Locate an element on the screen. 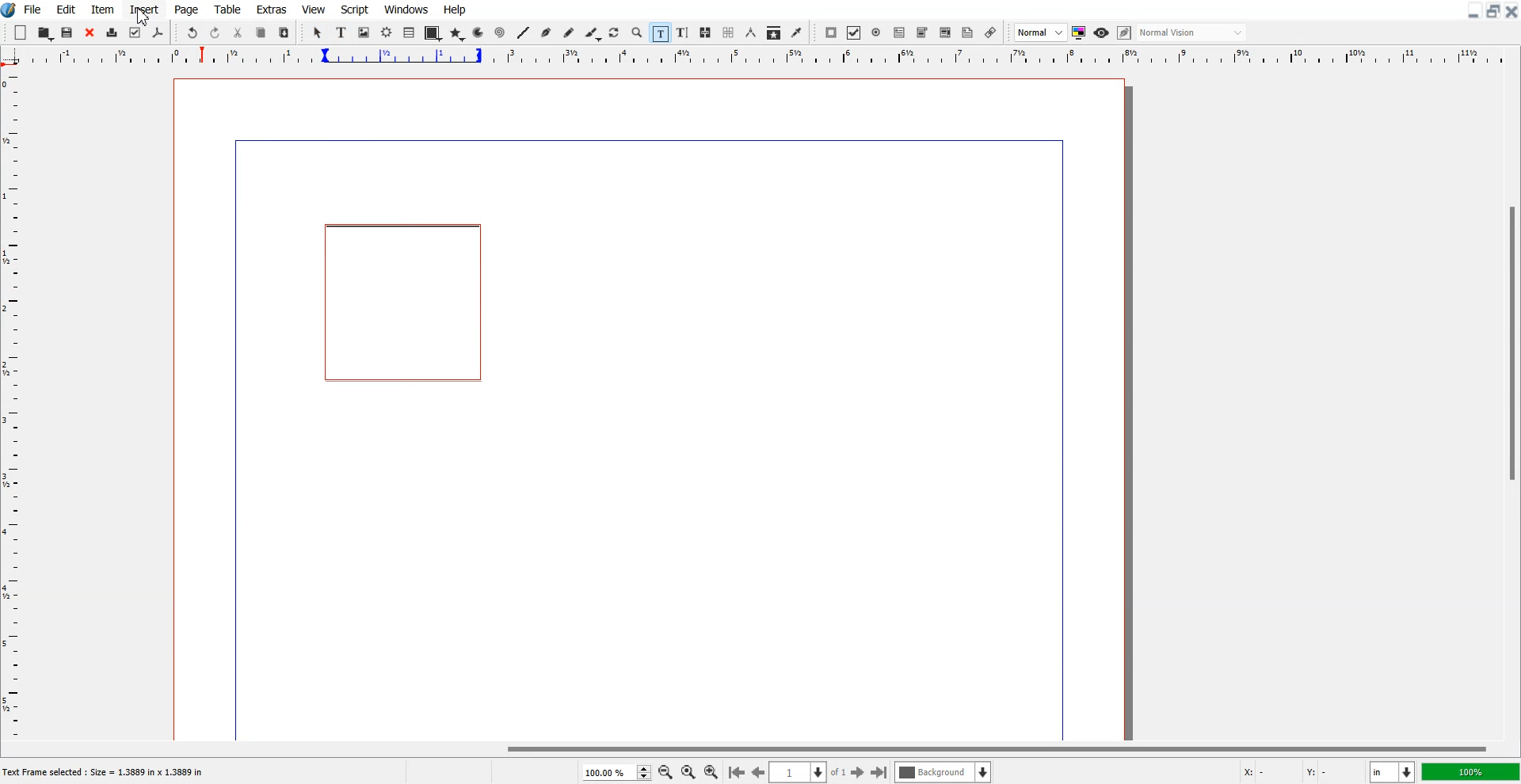  Eye dropper is located at coordinates (796, 32).